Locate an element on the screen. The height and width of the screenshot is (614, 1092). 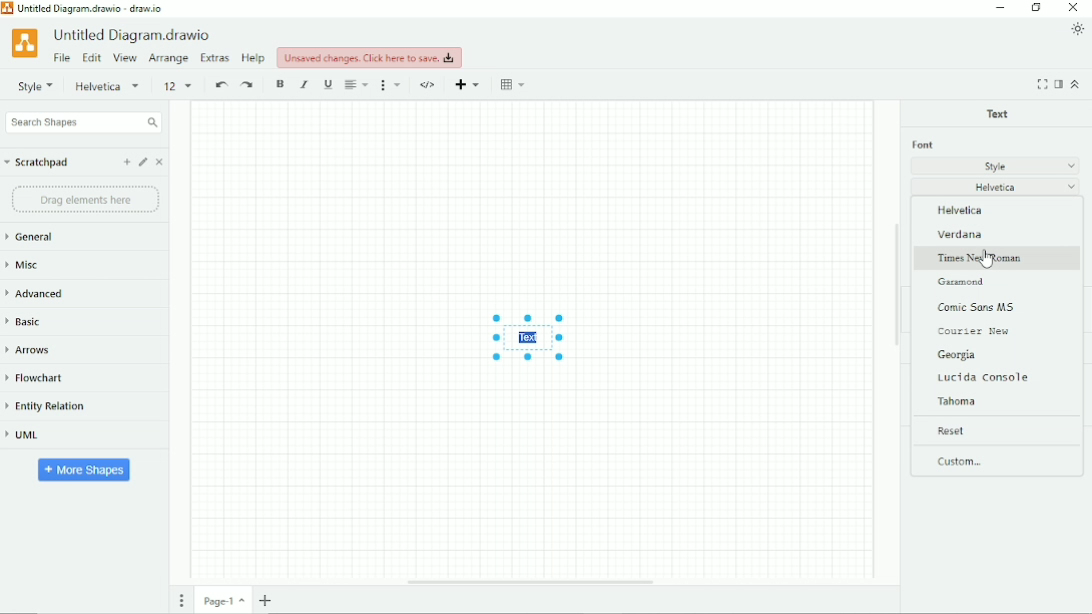
Courier New is located at coordinates (974, 331).